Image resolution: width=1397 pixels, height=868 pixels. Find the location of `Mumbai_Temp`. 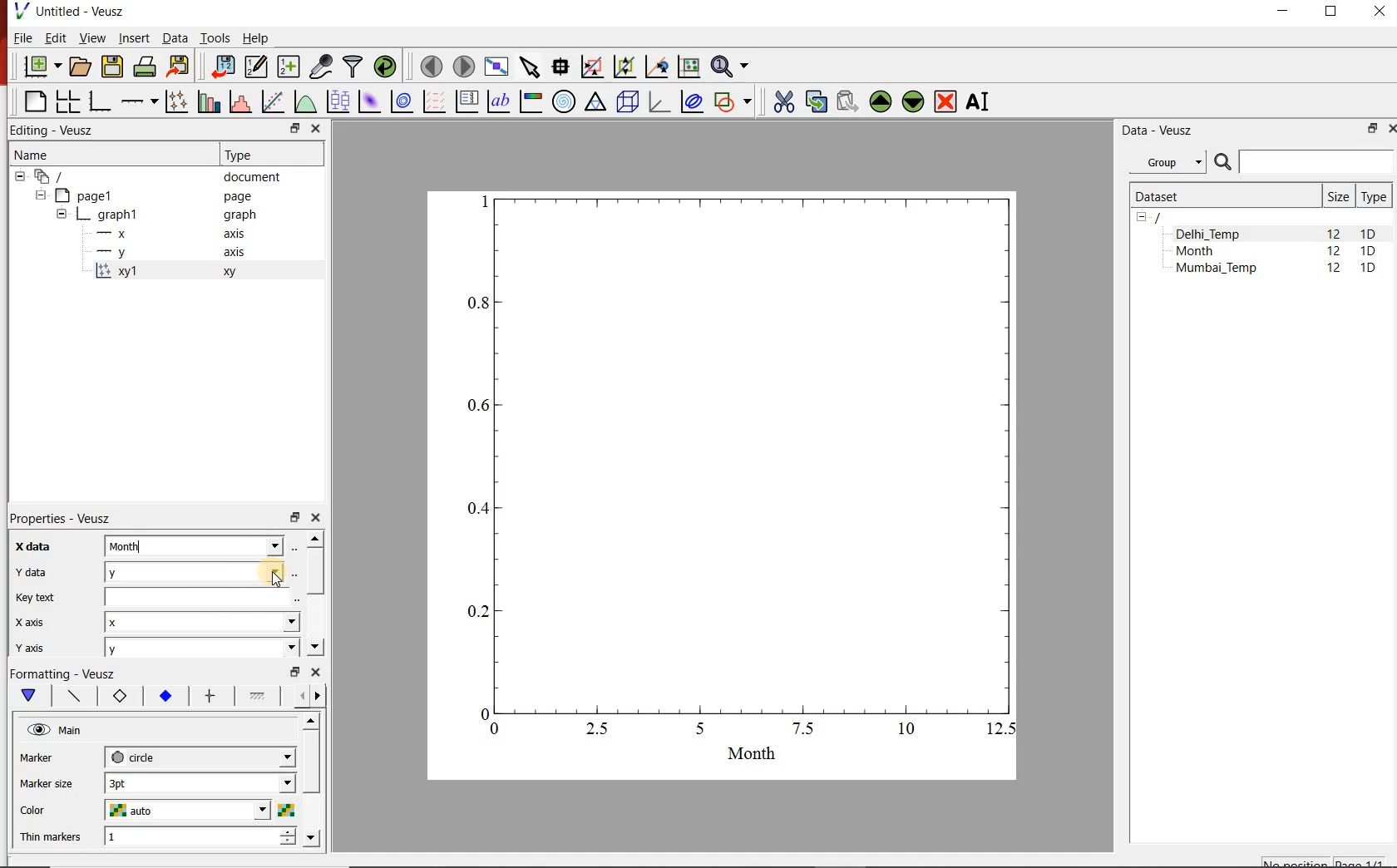

Mumbai_Temp is located at coordinates (1216, 269).